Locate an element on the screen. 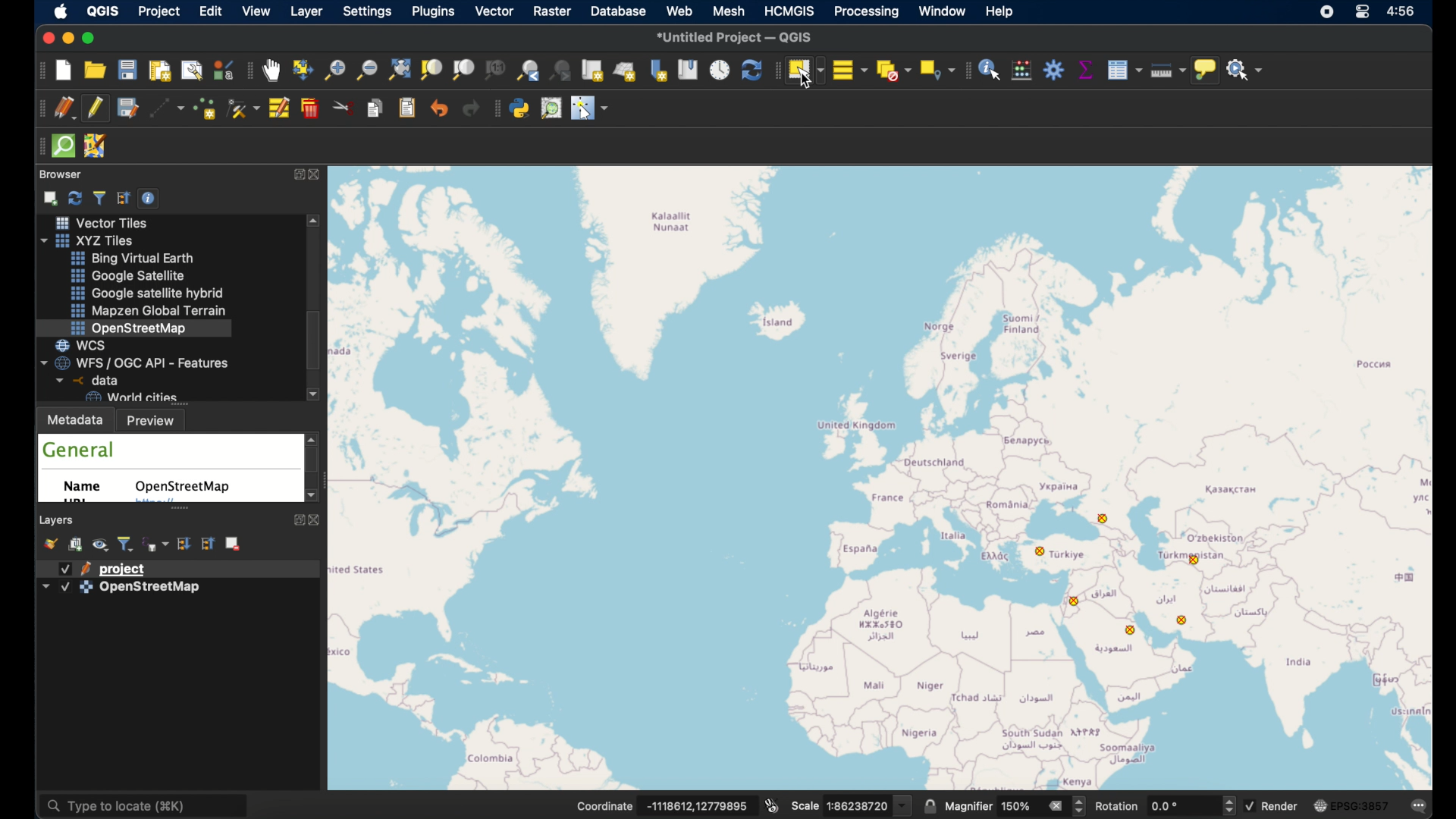 The width and height of the screenshot is (1456, 819). type locate is located at coordinates (149, 806).